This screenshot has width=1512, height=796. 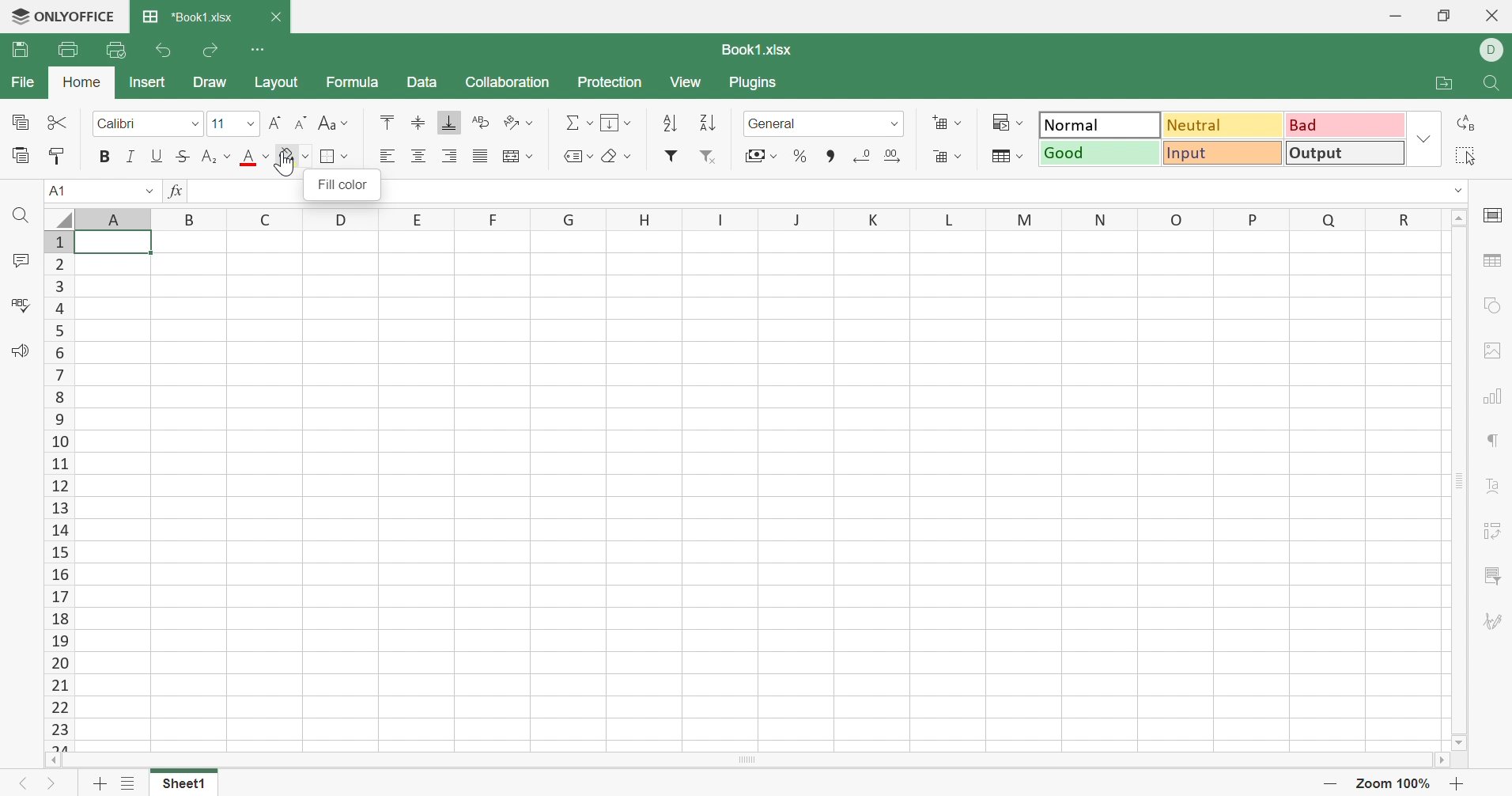 I want to click on Wrap Text, so click(x=482, y=120).